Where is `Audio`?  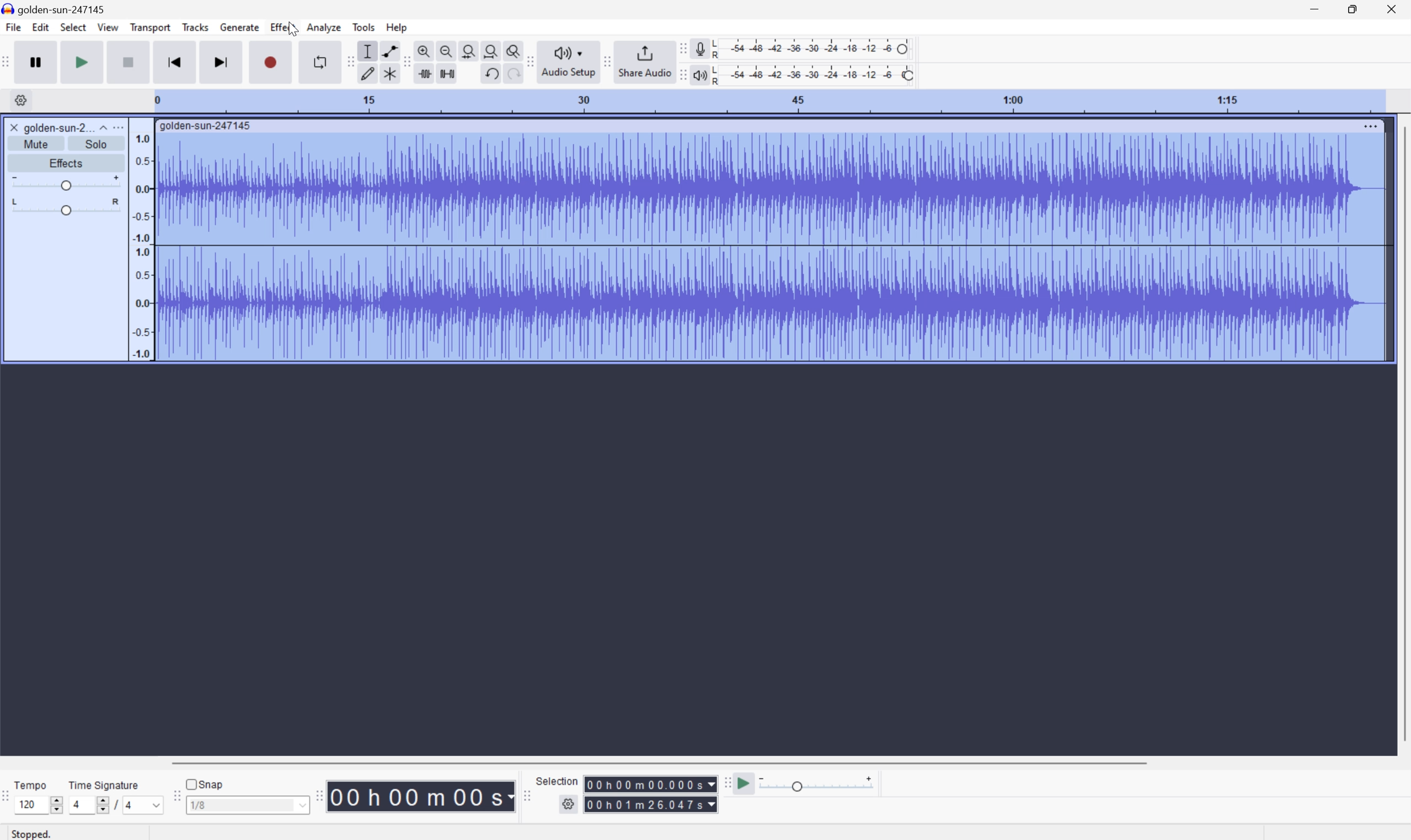 Audio is located at coordinates (770, 246).